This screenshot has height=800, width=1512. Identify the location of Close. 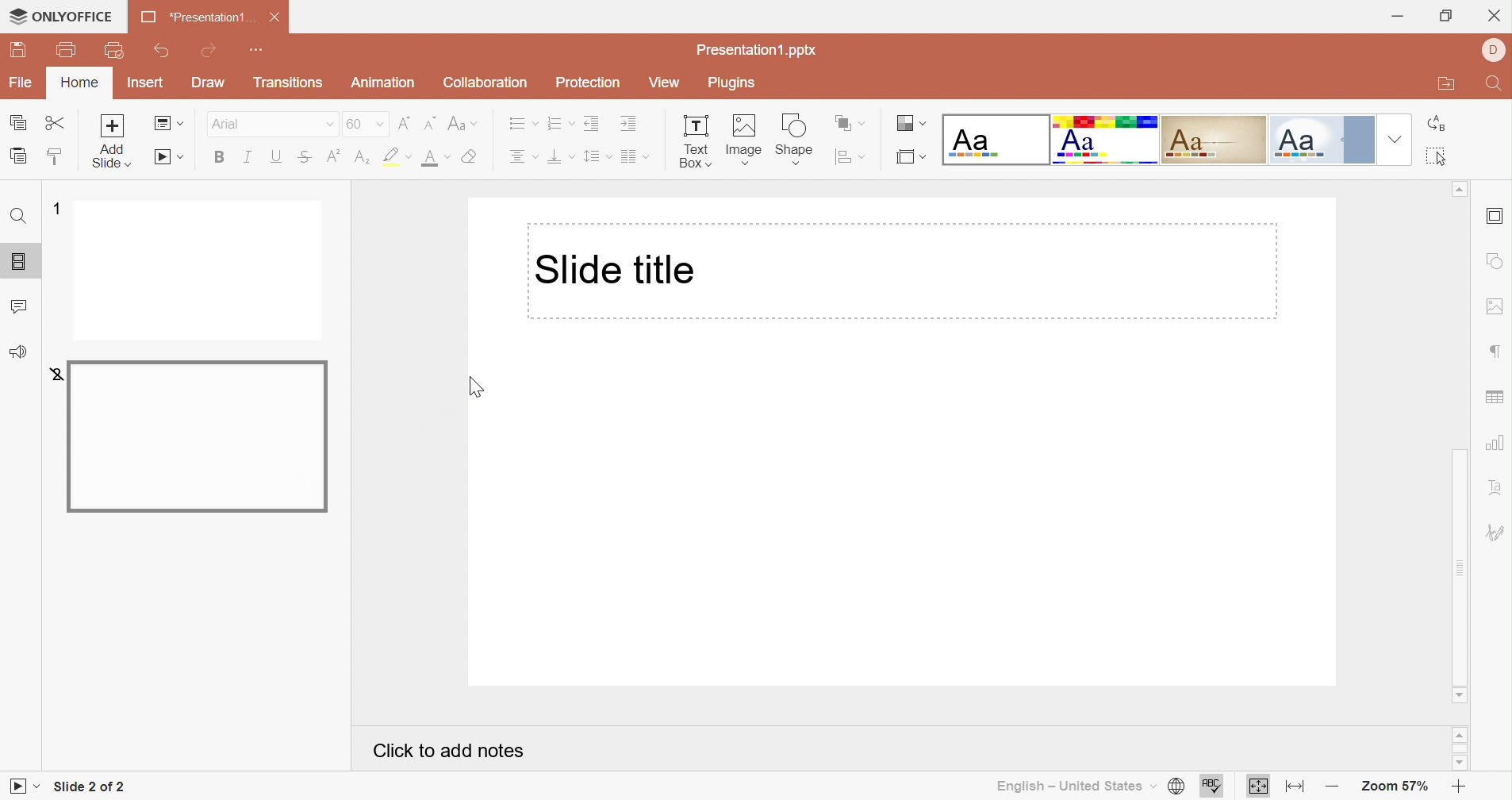
(277, 17).